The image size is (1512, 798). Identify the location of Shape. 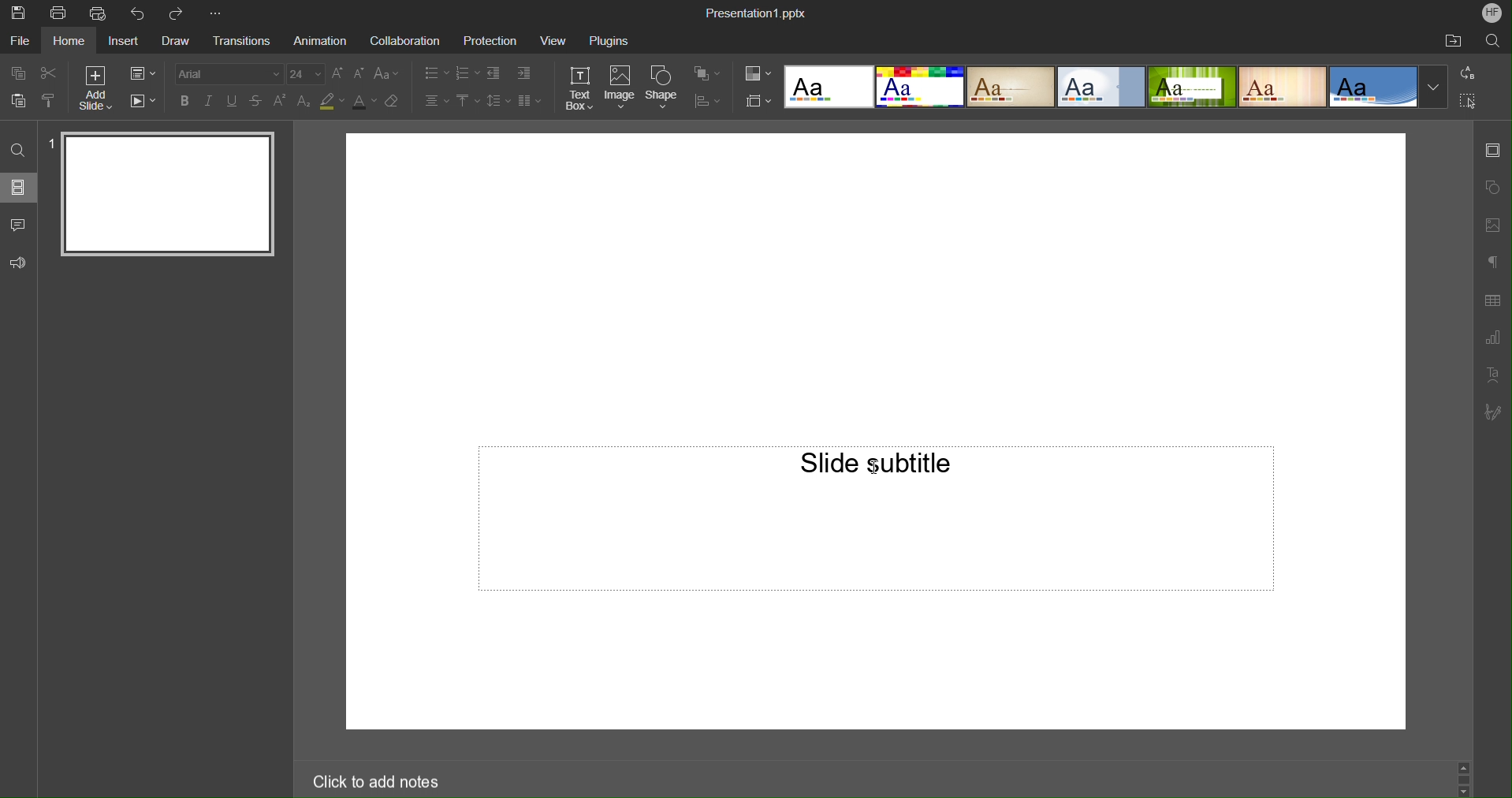
(663, 88).